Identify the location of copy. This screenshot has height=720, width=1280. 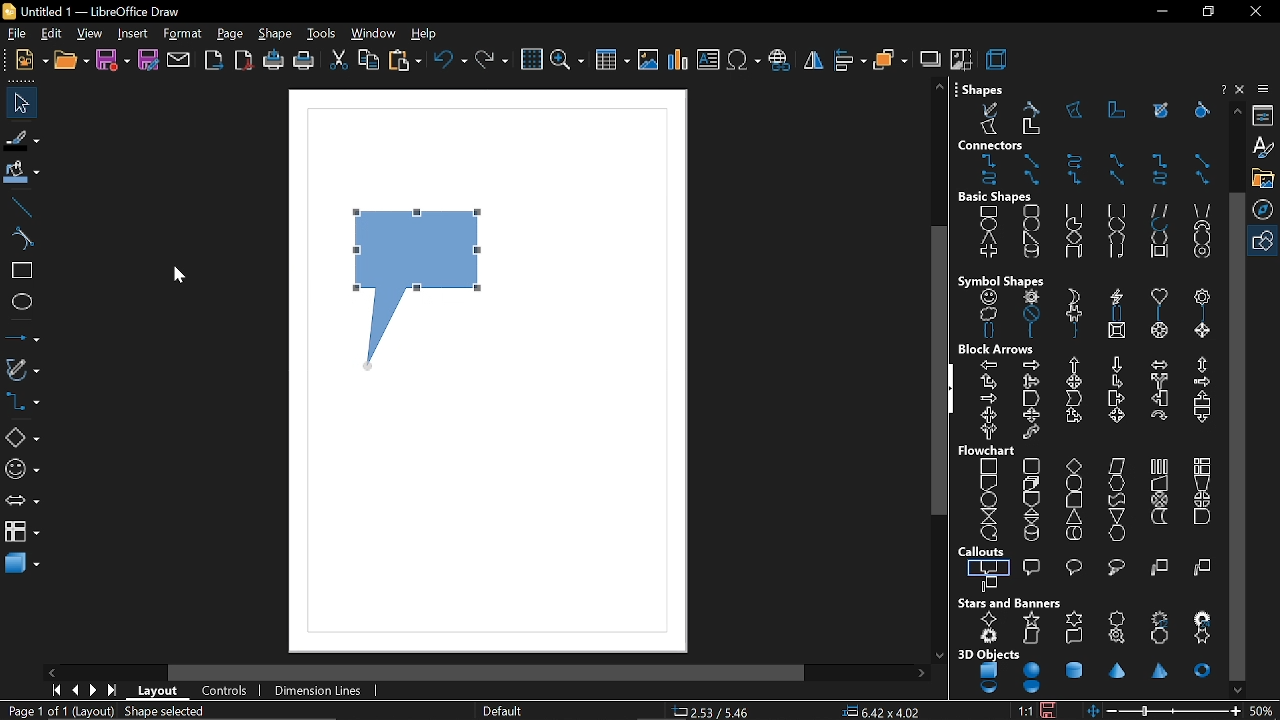
(369, 60).